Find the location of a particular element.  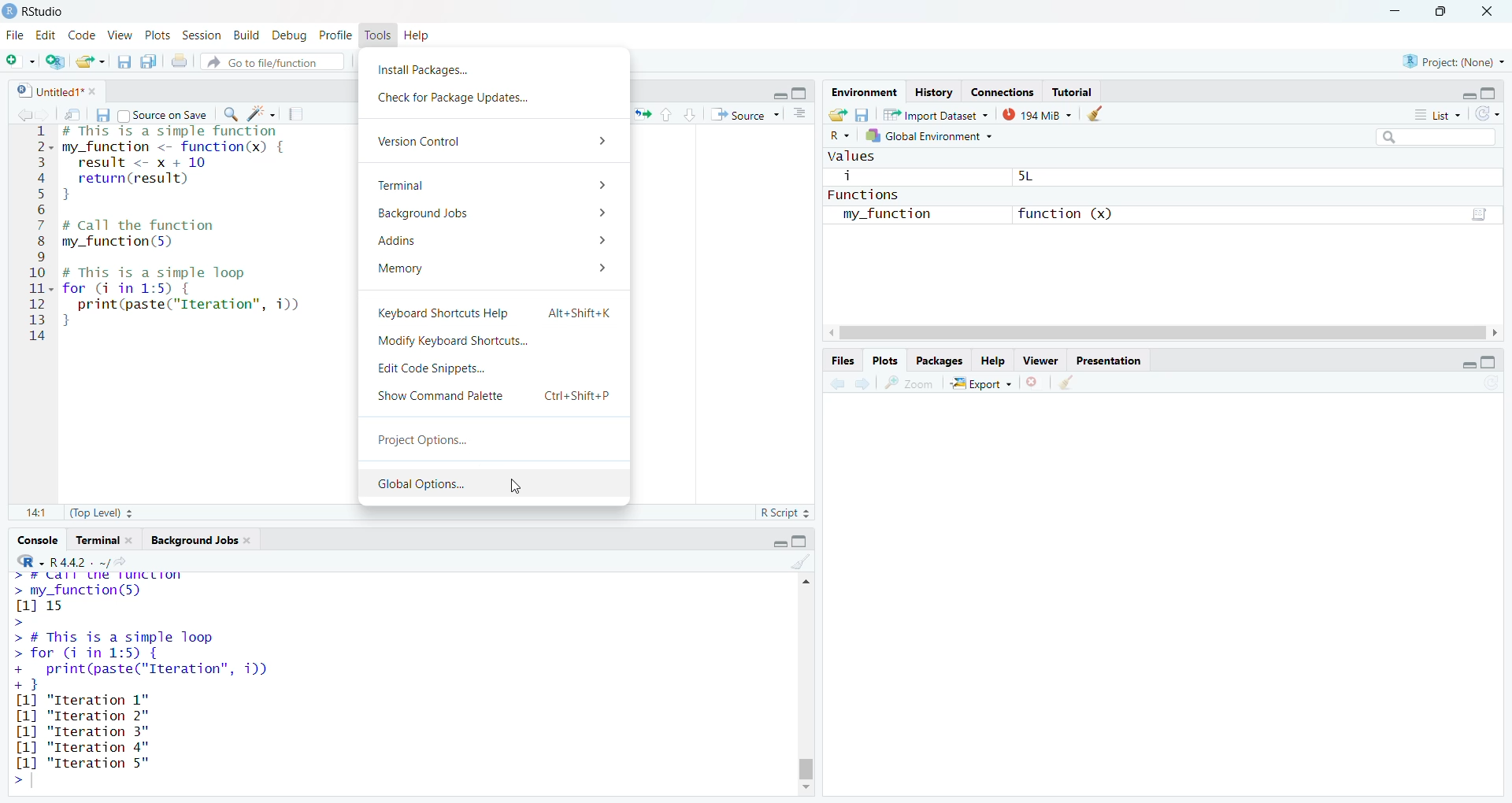

save current document is located at coordinates (102, 113).